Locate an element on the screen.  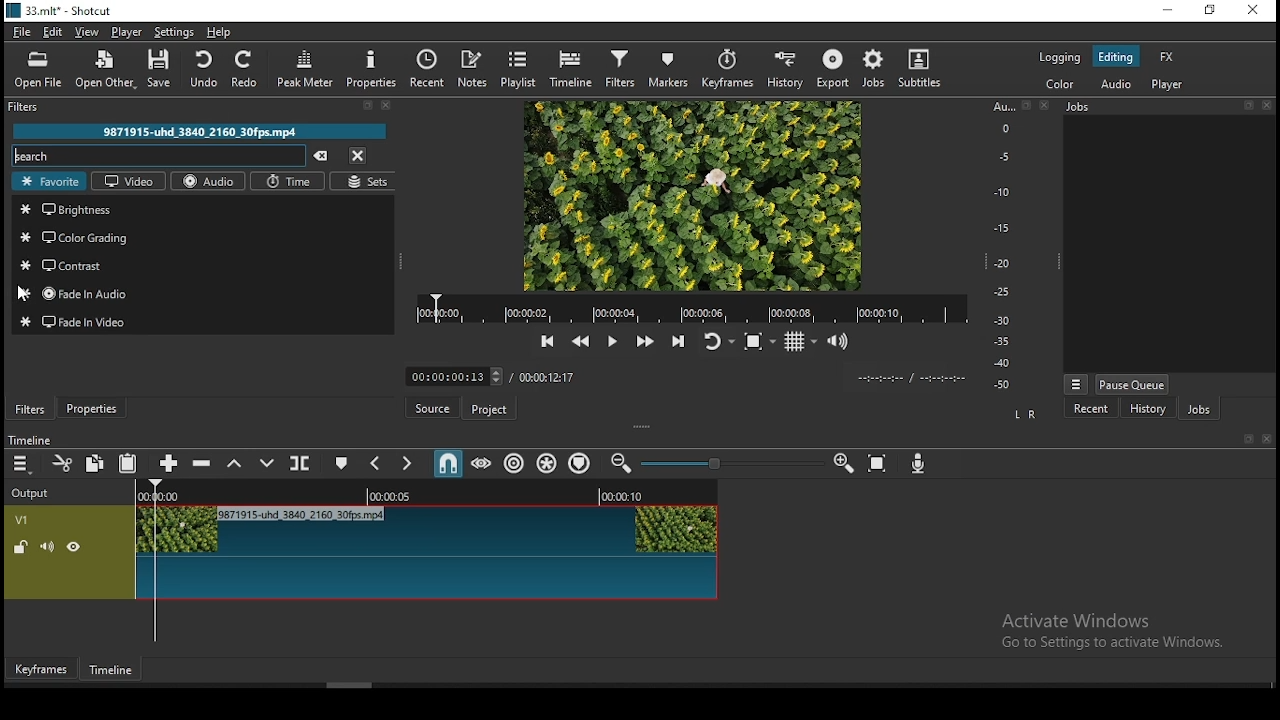
toggle zoom is located at coordinates (759, 340).